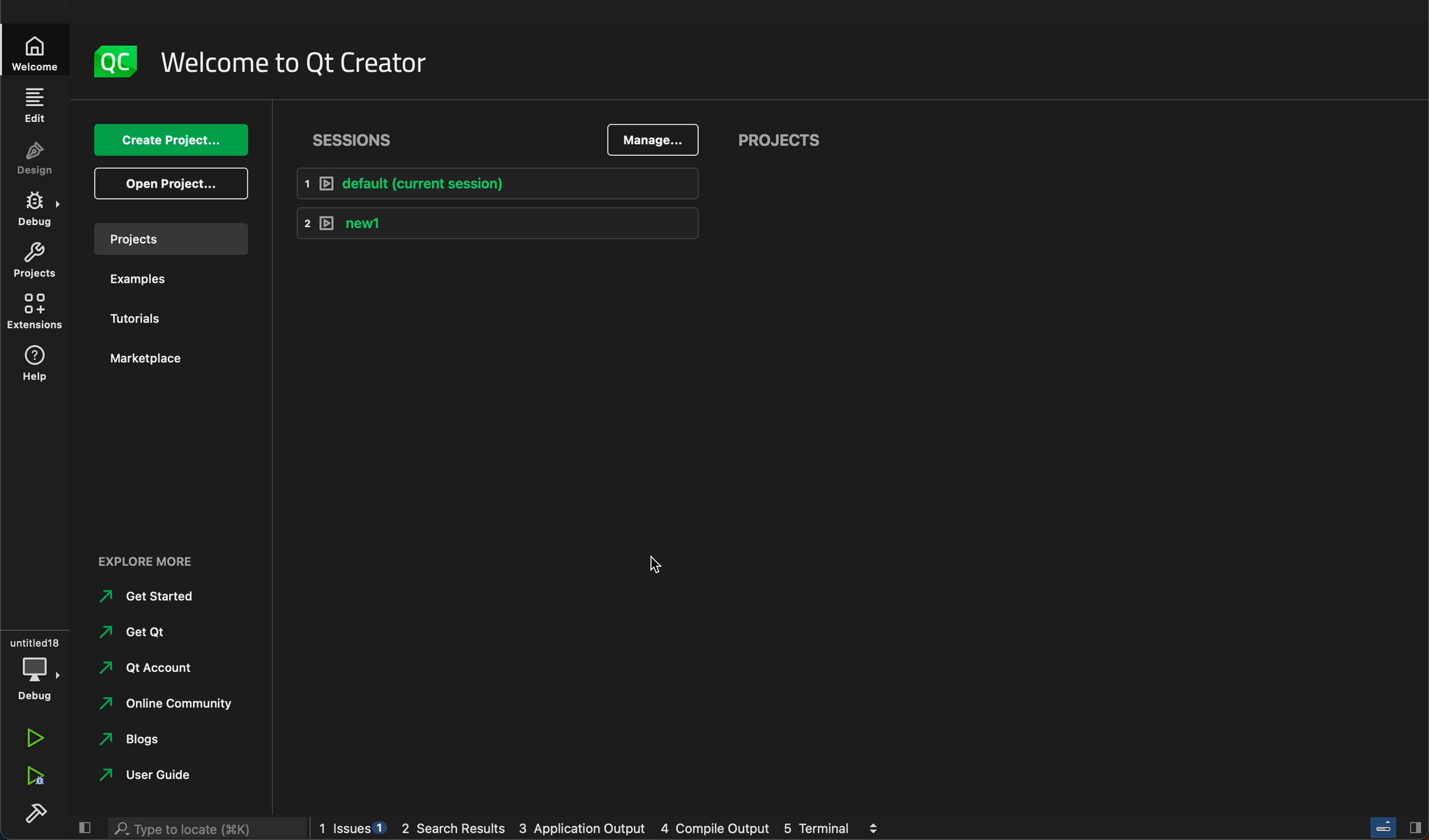 This screenshot has width=1429, height=840. Describe the element at coordinates (35, 211) in the screenshot. I see `debug` at that location.